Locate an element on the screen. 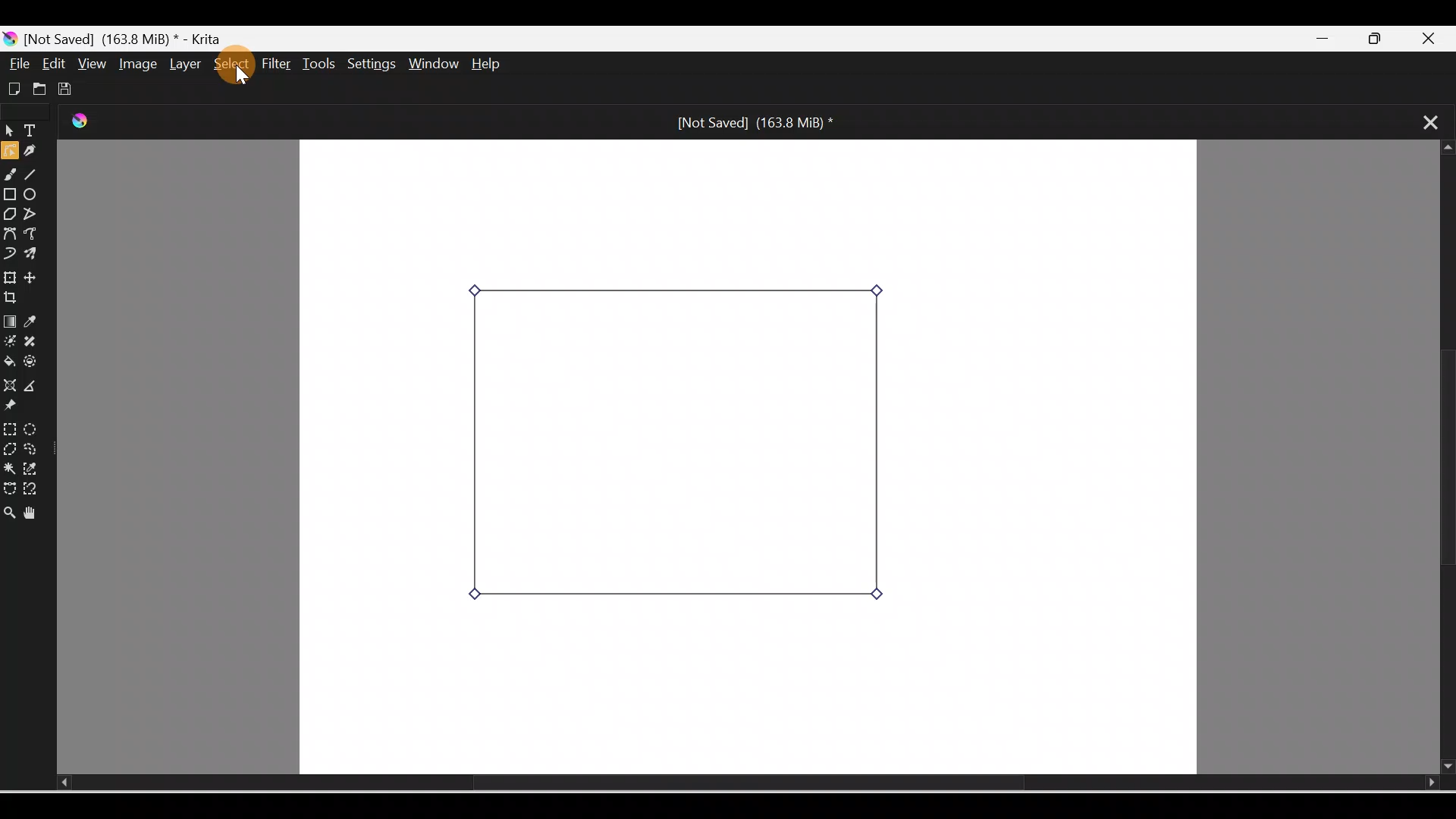 The height and width of the screenshot is (819, 1456). Scroll bar is located at coordinates (725, 783).